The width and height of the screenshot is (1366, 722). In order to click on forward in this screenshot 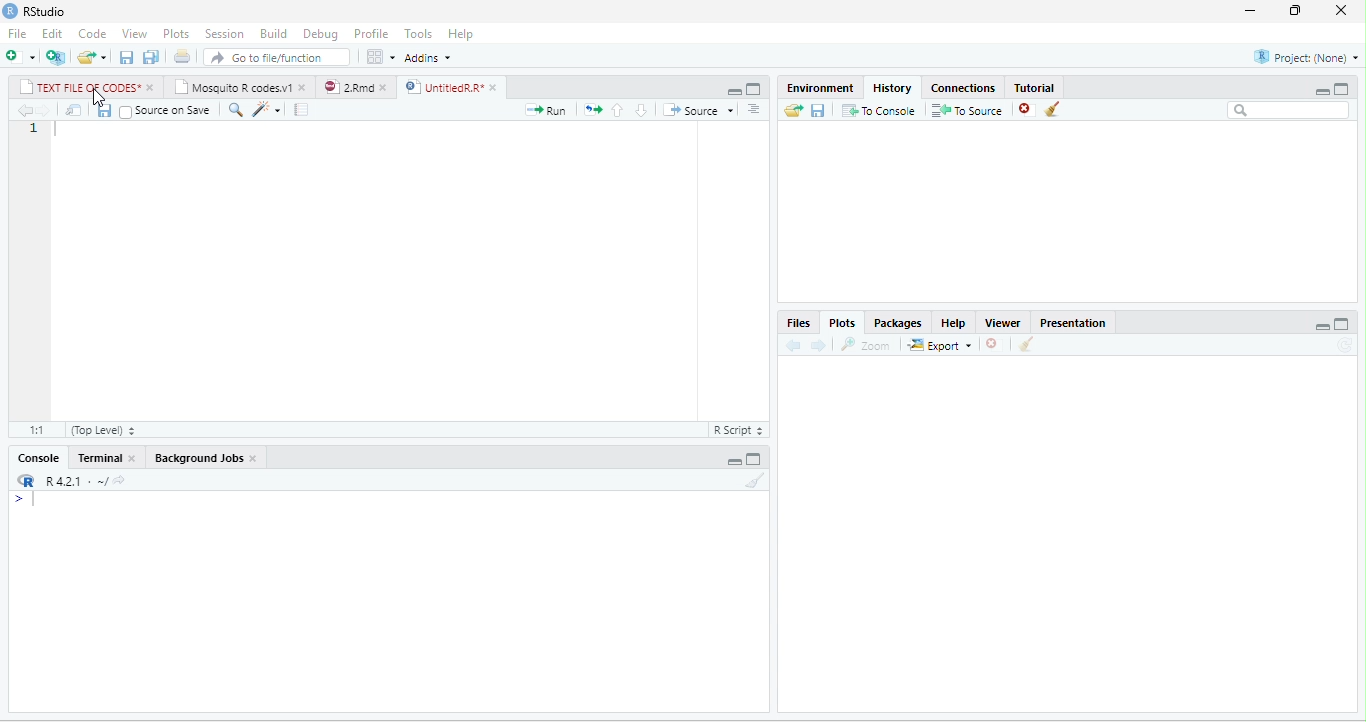, I will do `click(819, 345)`.